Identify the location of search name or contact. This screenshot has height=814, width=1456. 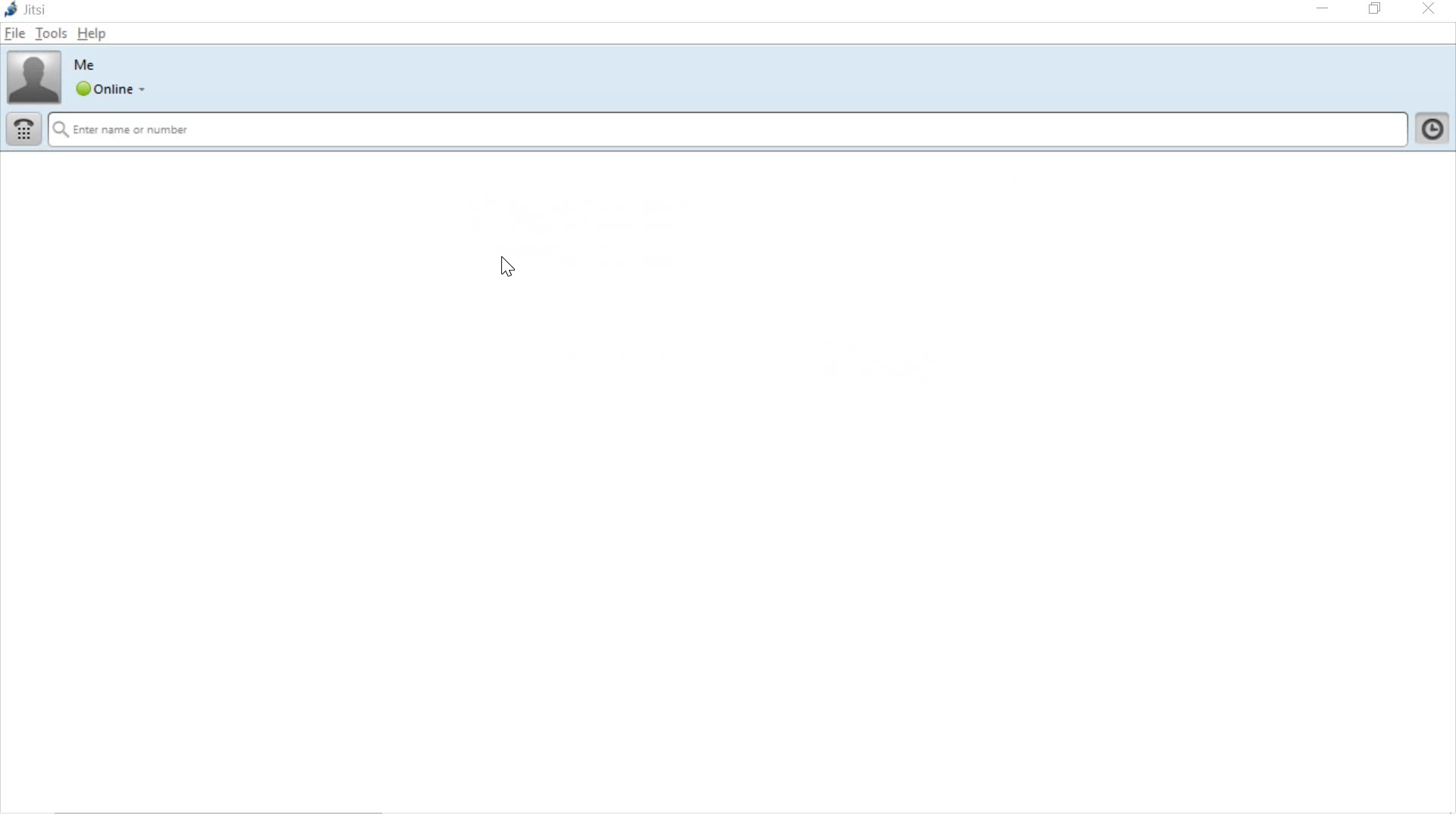
(727, 130).